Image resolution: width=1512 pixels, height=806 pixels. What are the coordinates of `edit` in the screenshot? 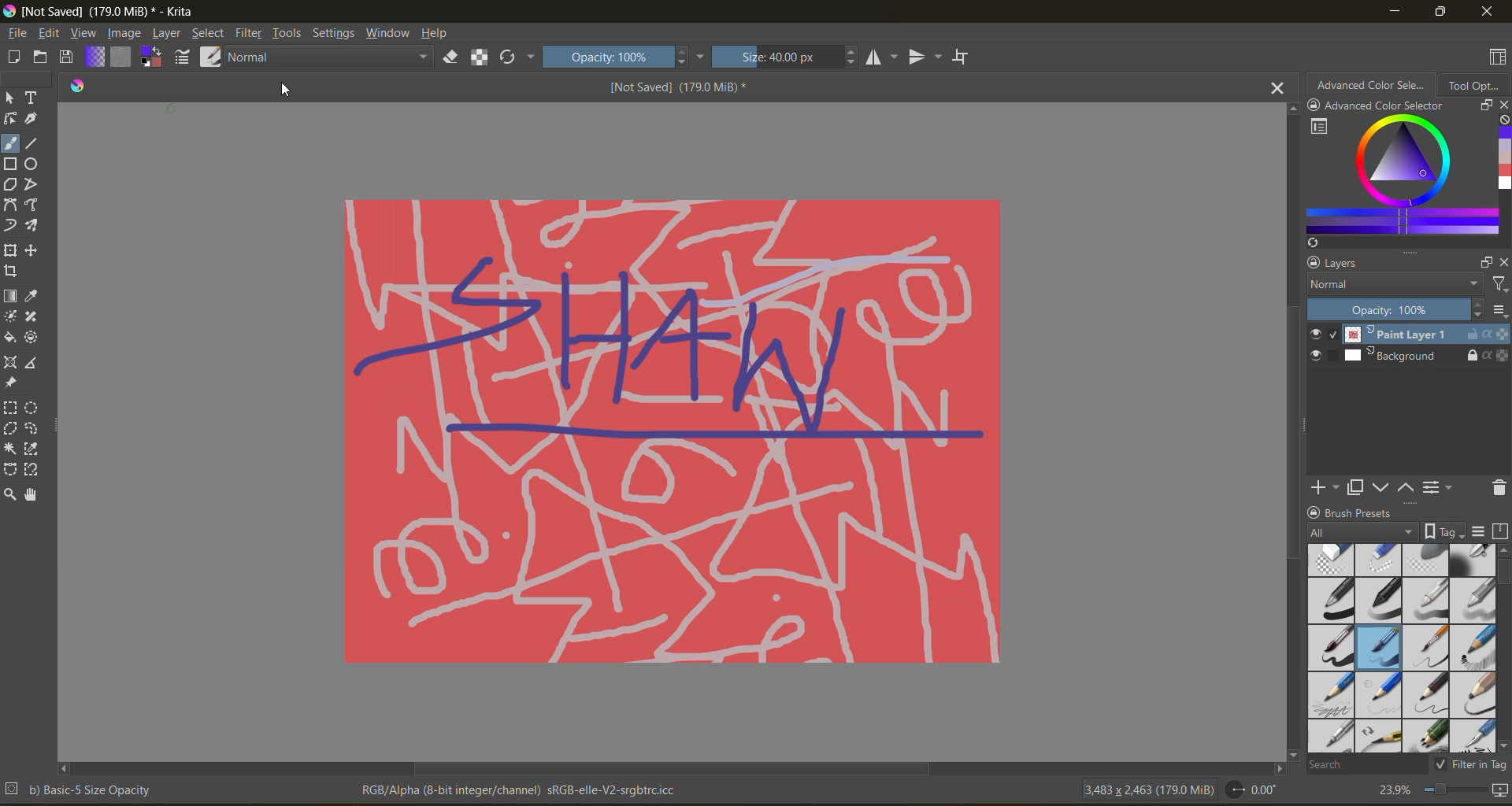 It's located at (50, 33).